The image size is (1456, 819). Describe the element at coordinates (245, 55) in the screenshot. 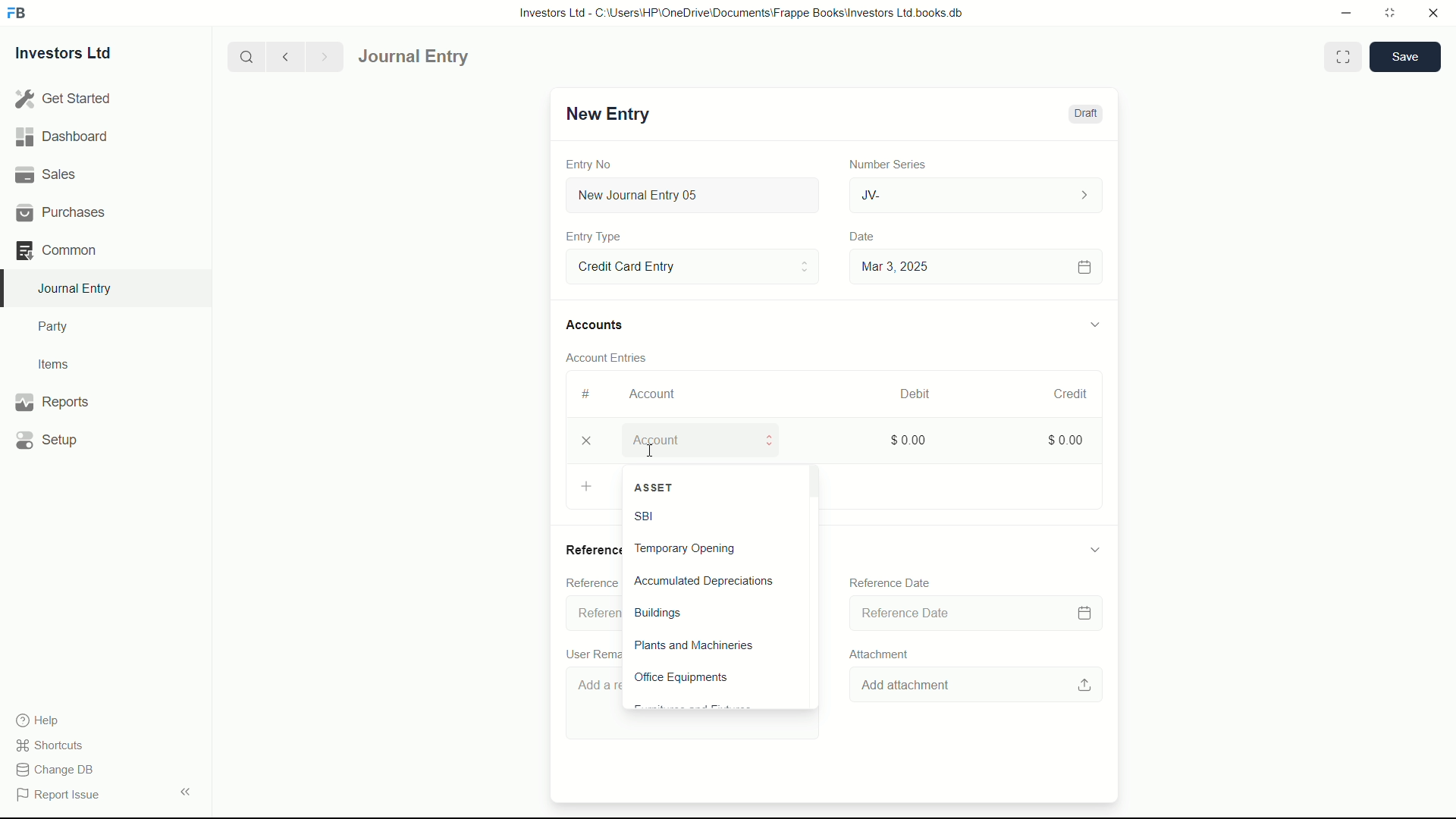

I see `search` at that location.